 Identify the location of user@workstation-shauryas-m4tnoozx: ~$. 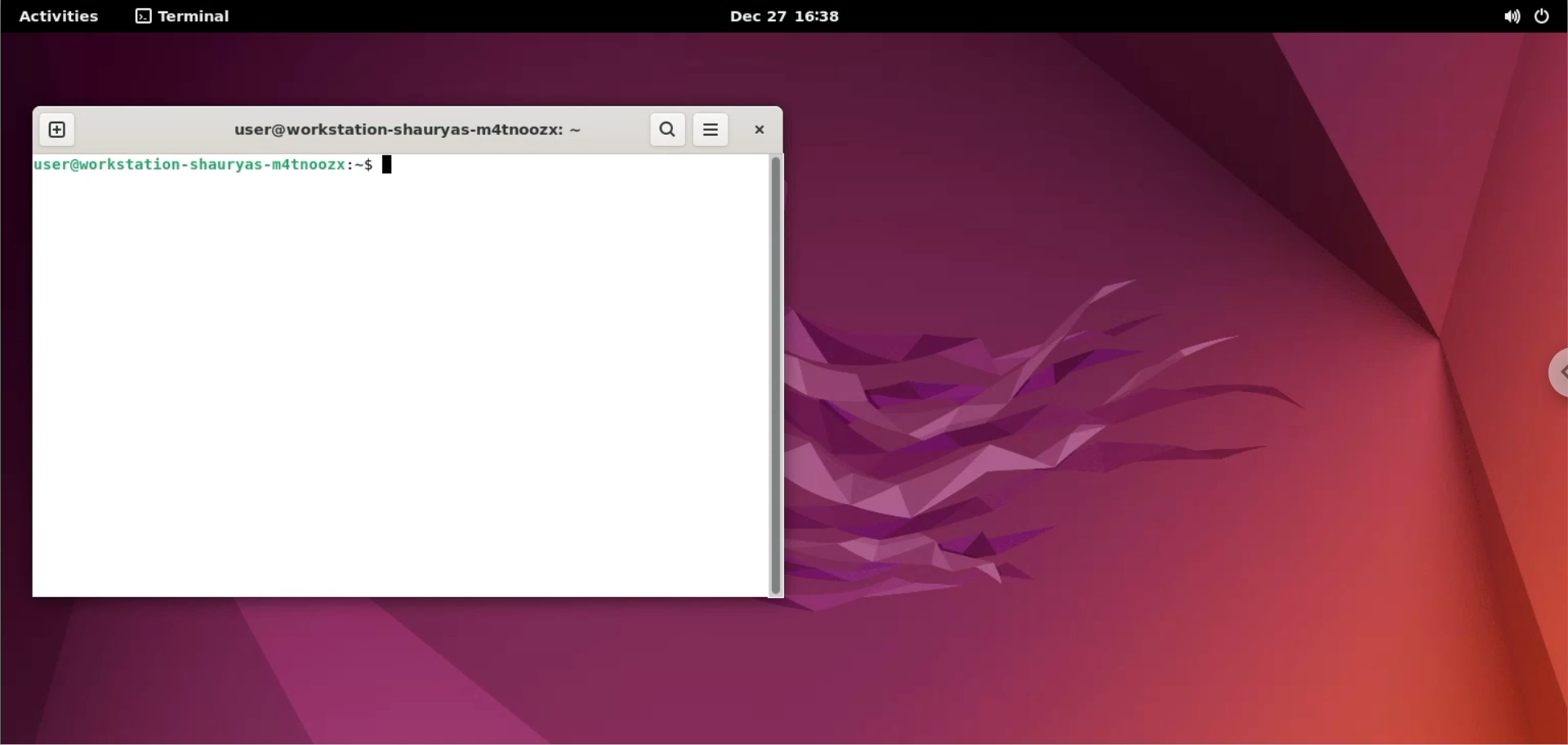
(220, 166).